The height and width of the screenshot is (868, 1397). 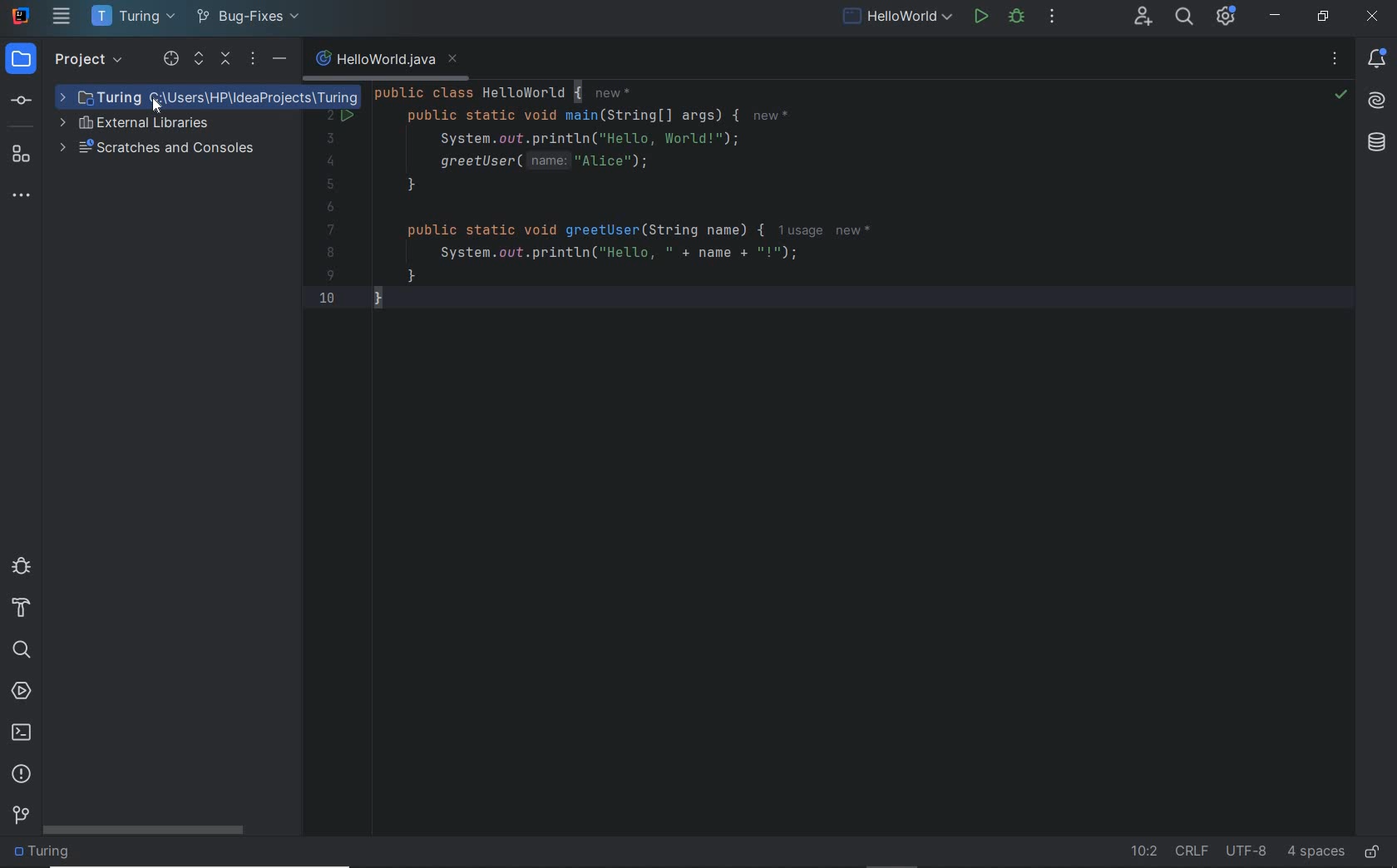 I want to click on 2, so click(x=331, y=116).